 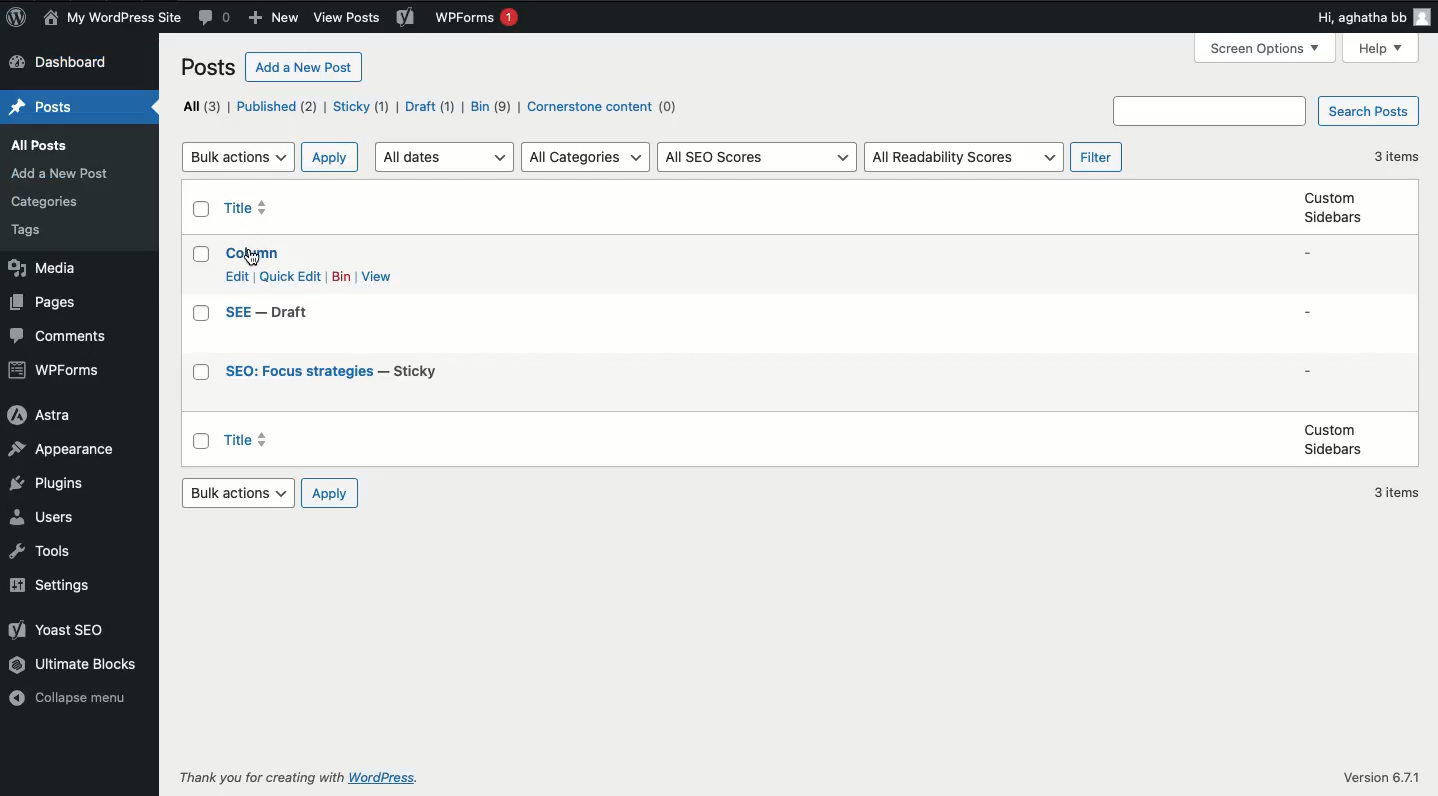 What do you see at coordinates (1368, 17) in the screenshot?
I see `Hi user` at bounding box center [1368, 17].